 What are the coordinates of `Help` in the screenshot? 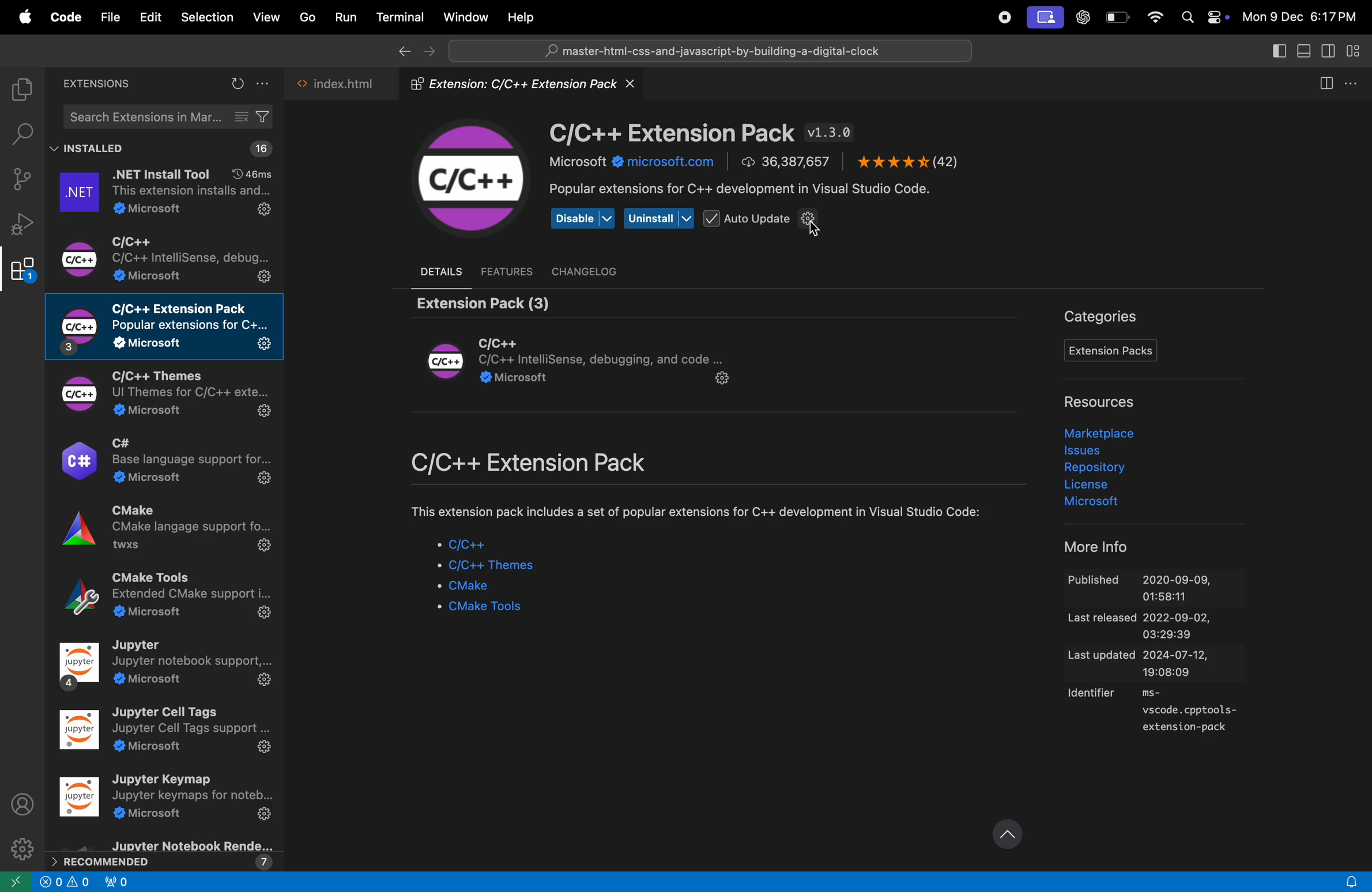 It's located at (519, 16).